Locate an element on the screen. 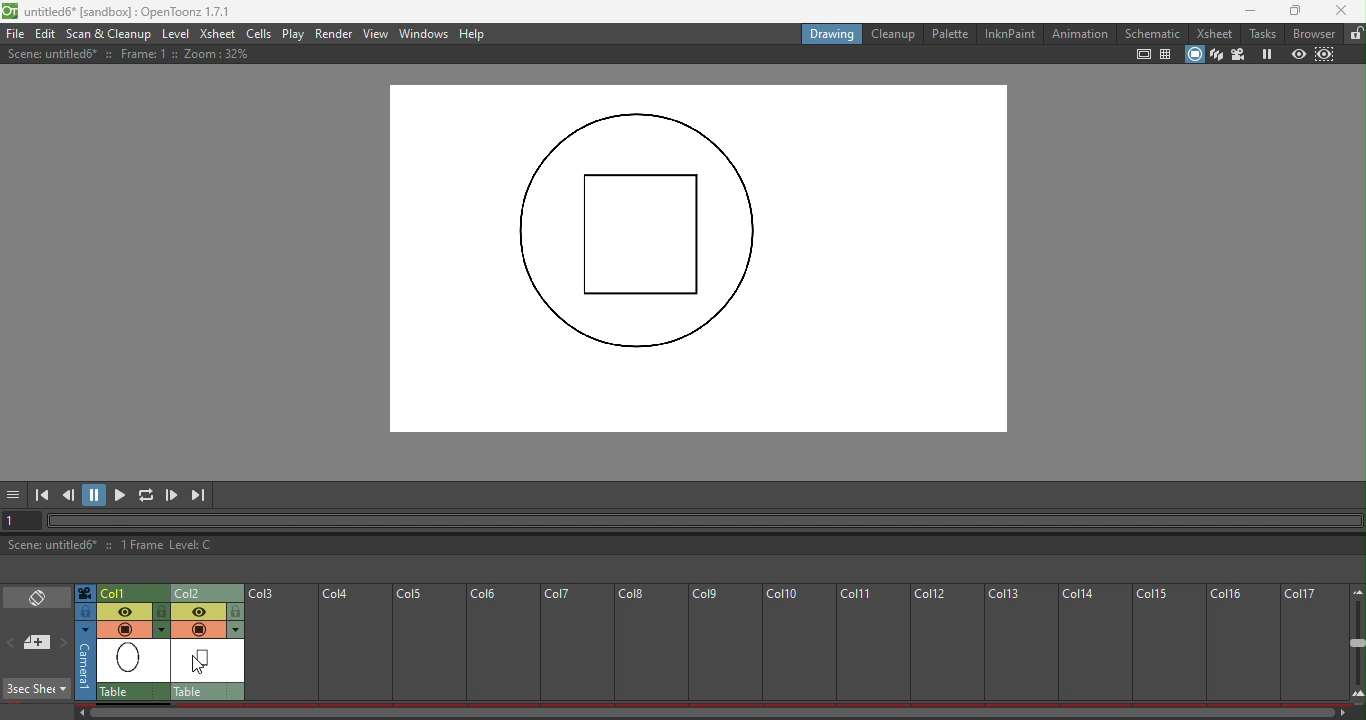 The image size is (1366, 720). Minimize is located at coordinates (1245, 11).